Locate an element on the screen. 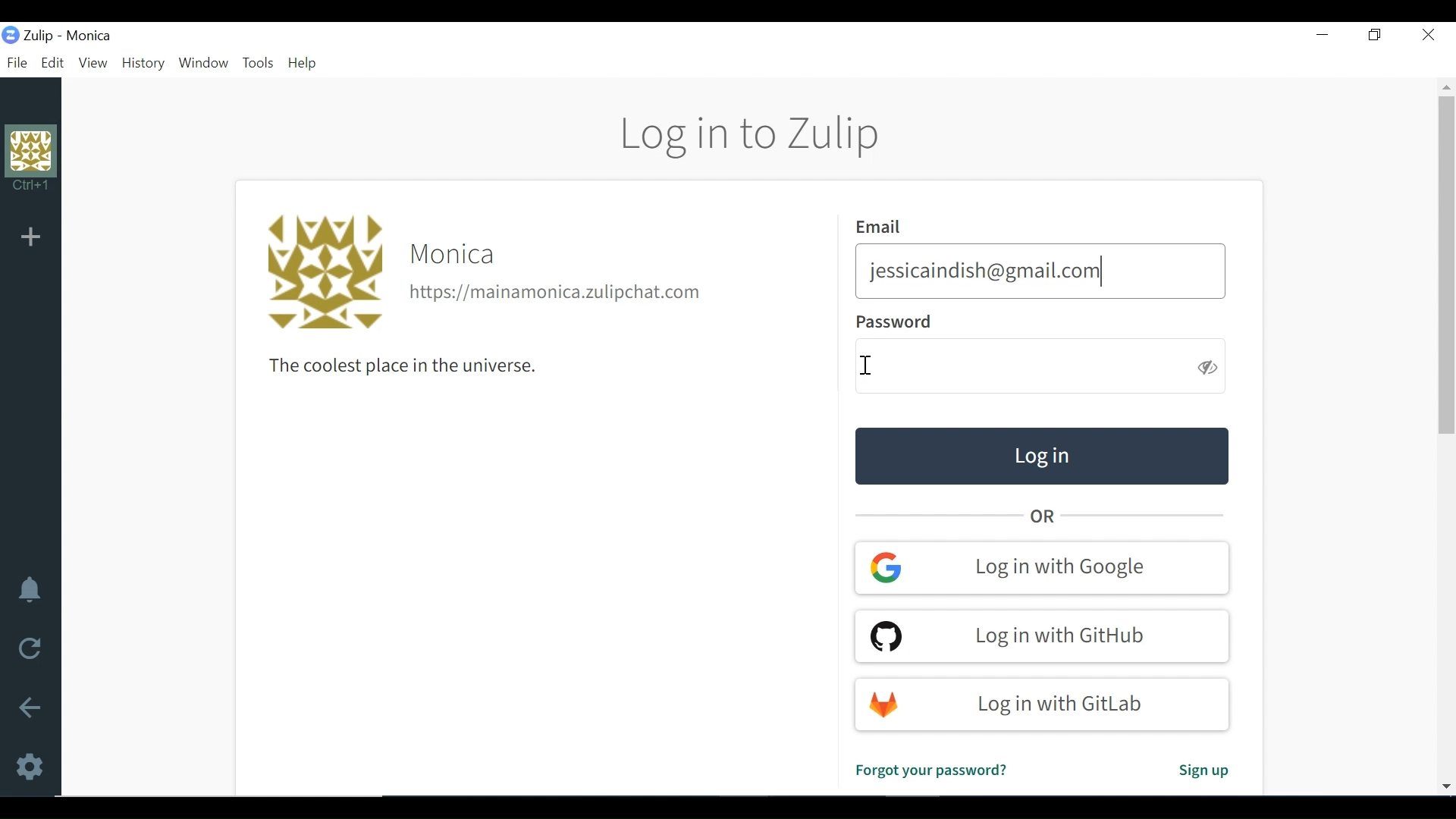  Edit is located at coordinates (54, 63).